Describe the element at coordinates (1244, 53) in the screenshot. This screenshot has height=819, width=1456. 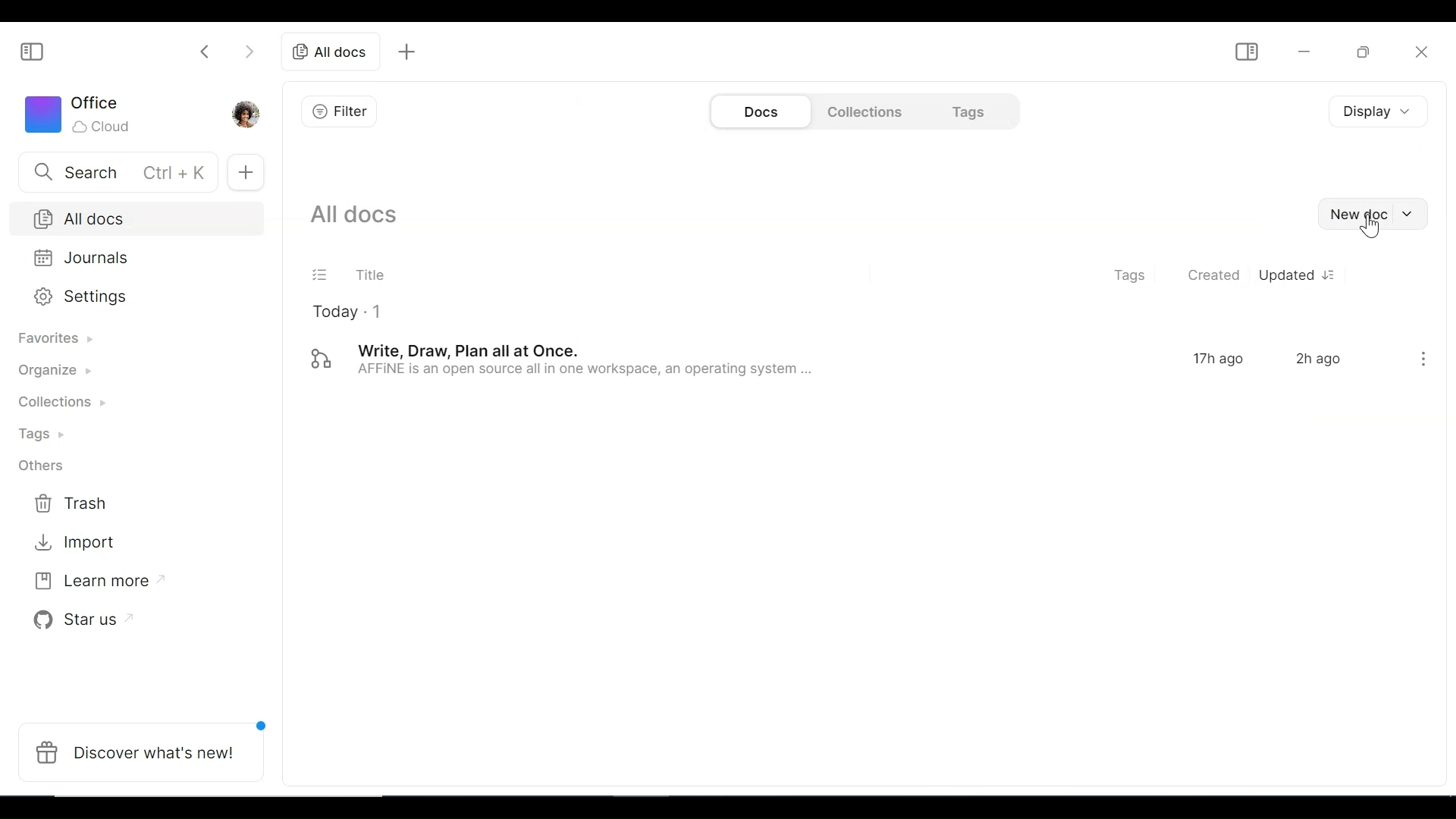
I see `Show/Hide Sidebar` at that location.